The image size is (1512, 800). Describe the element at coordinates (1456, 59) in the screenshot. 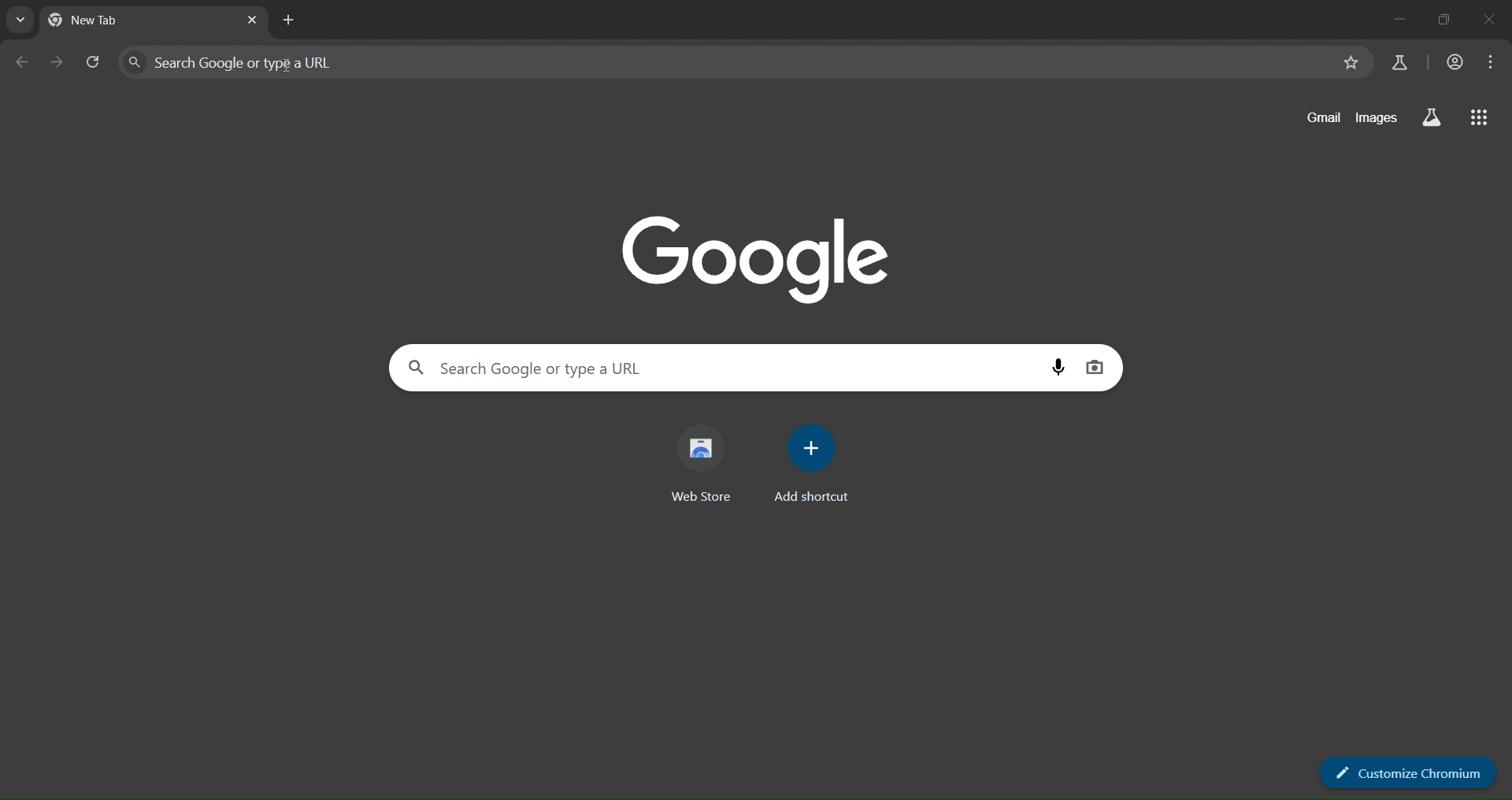

I see `account` at that location.